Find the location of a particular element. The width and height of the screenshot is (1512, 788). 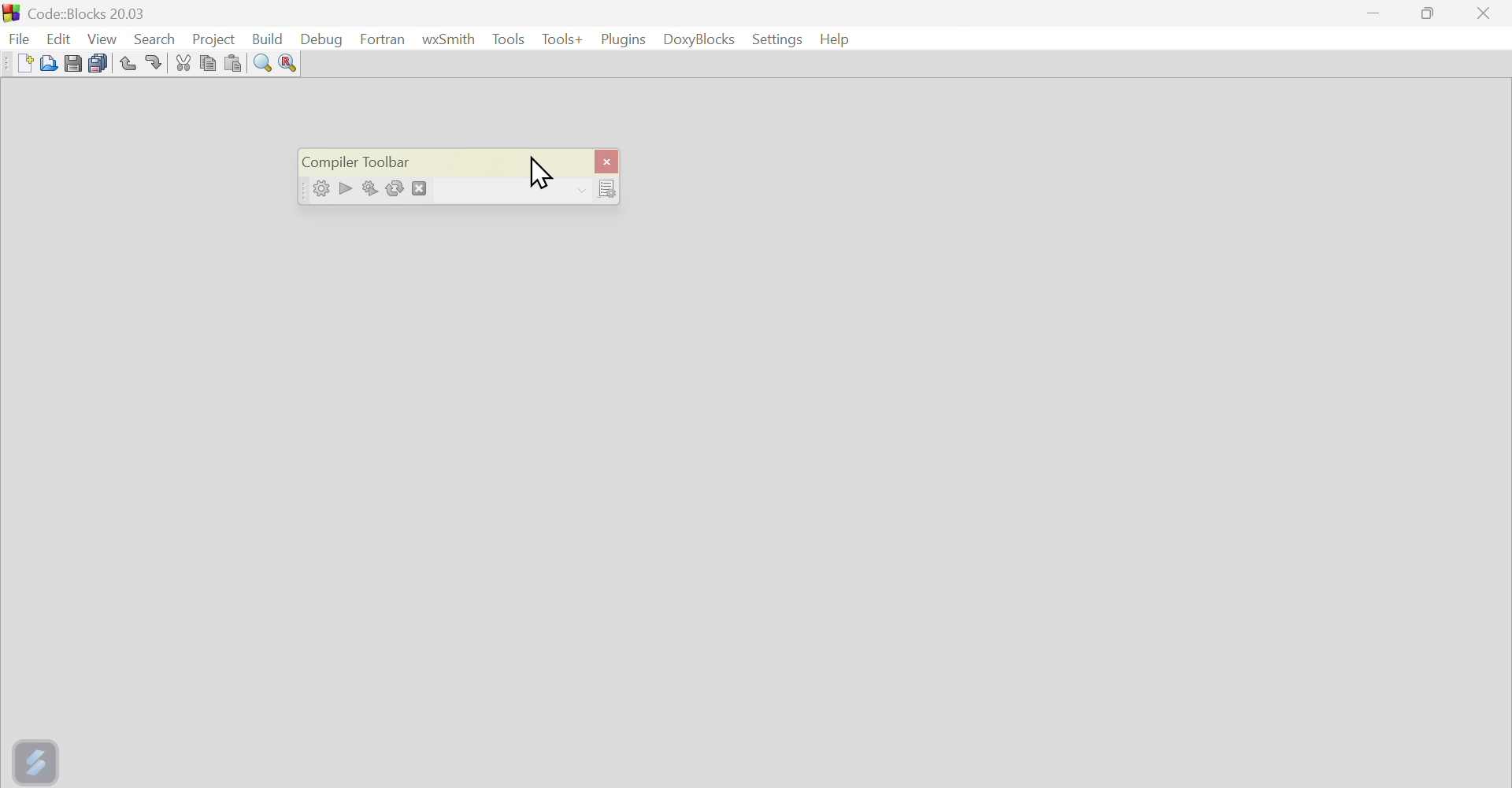

new is located at coordinates (16, 63).